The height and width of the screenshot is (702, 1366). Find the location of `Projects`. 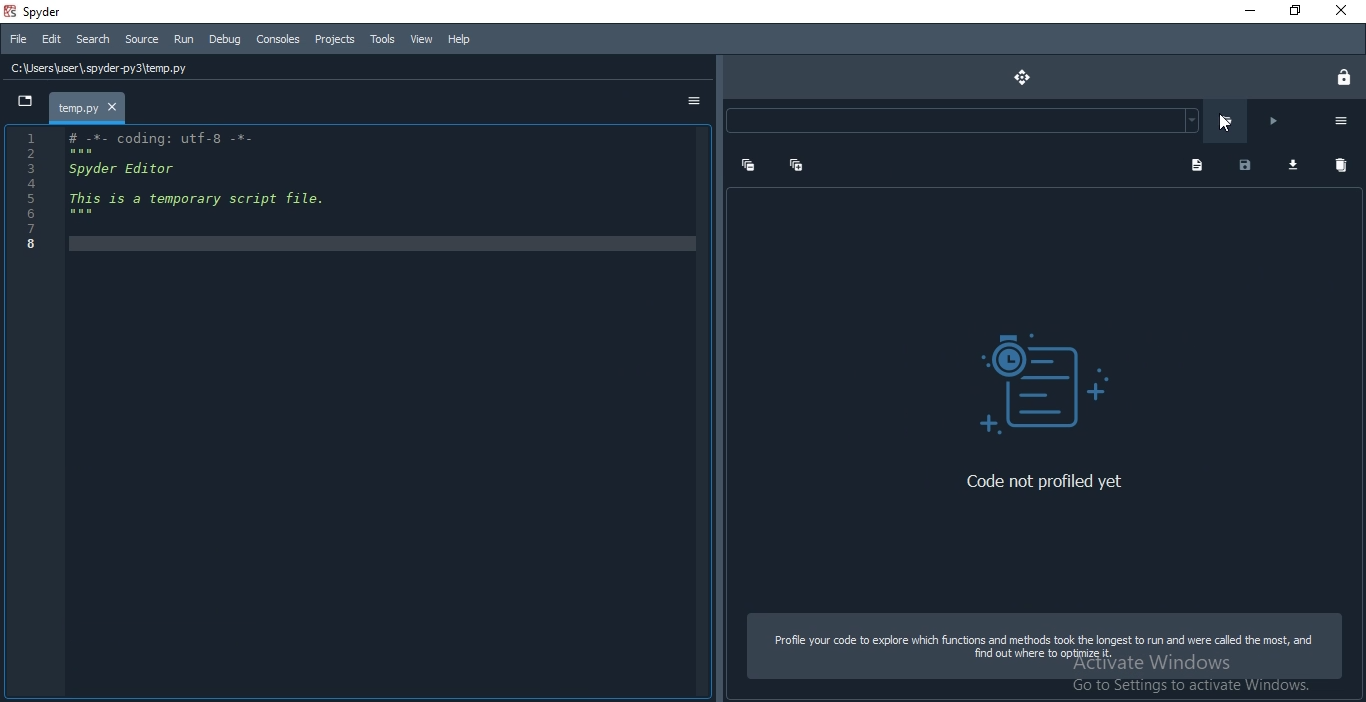

Projects is located at coordinates (333, 40).